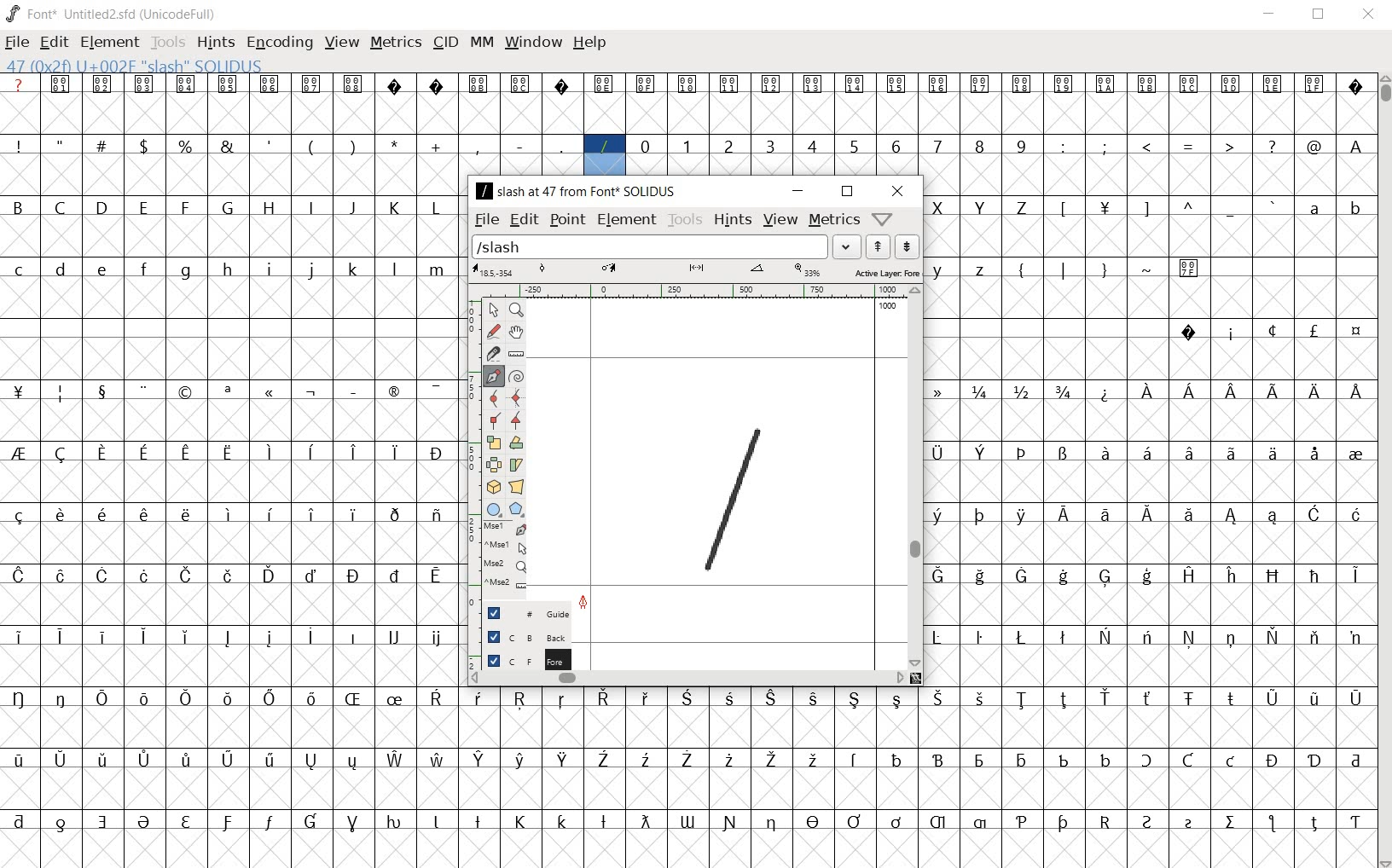  I want to click on EDIT, so click(55, 43).